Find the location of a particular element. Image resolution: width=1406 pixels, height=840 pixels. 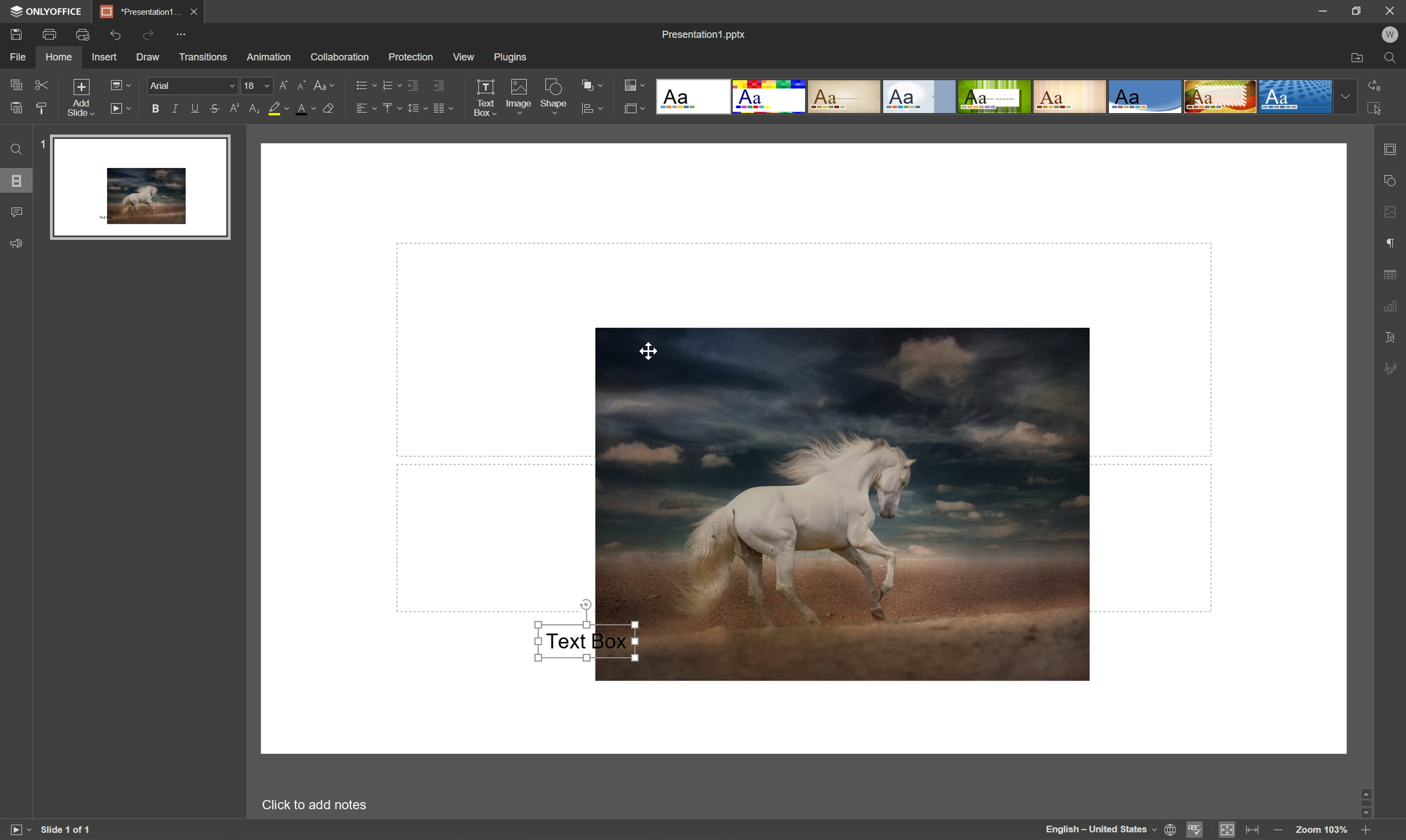

Highlight color is located at coordinates (278, 108).